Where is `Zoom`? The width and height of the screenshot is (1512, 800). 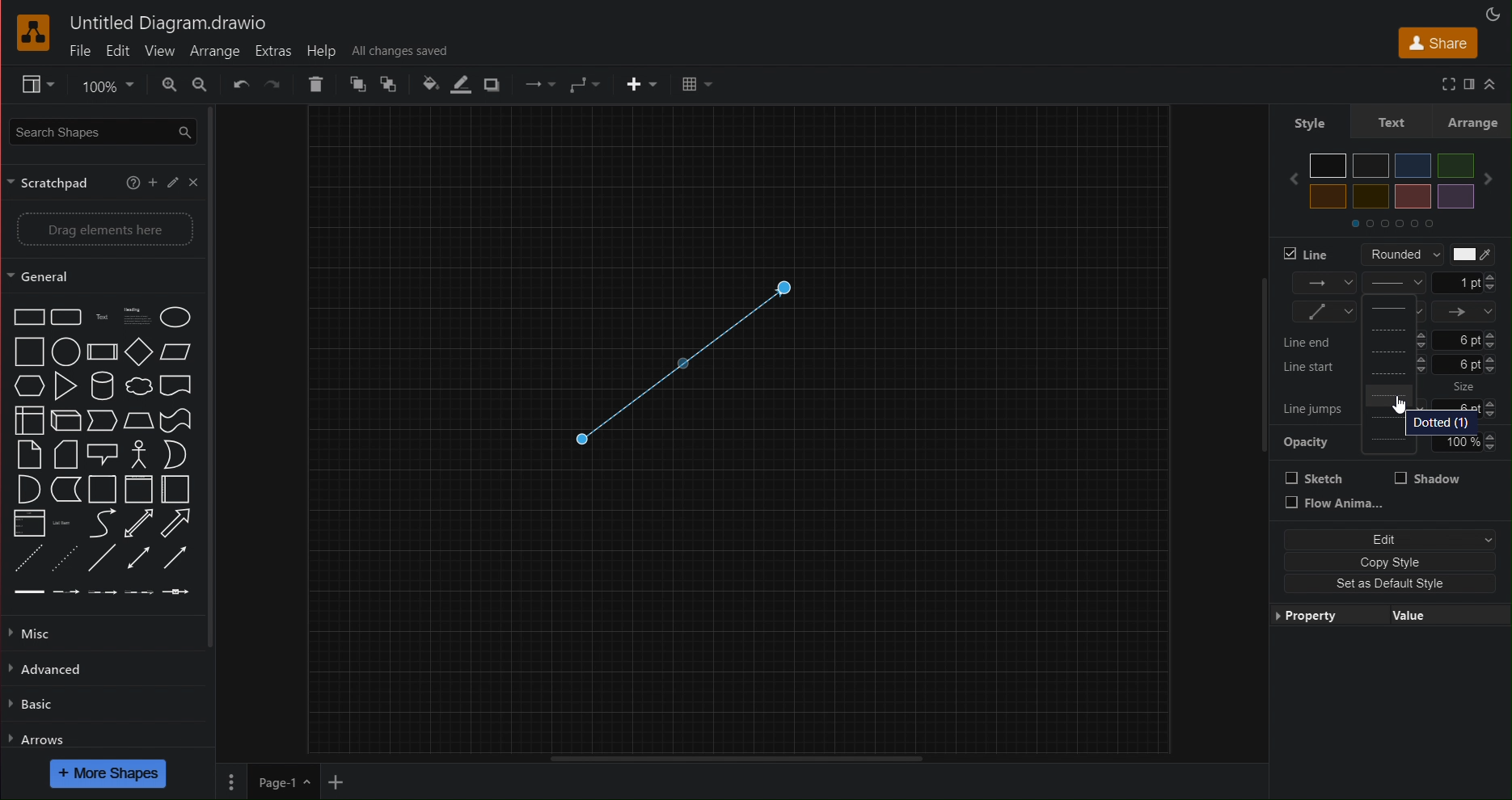 Zoom is located at coordinates (104, 85).